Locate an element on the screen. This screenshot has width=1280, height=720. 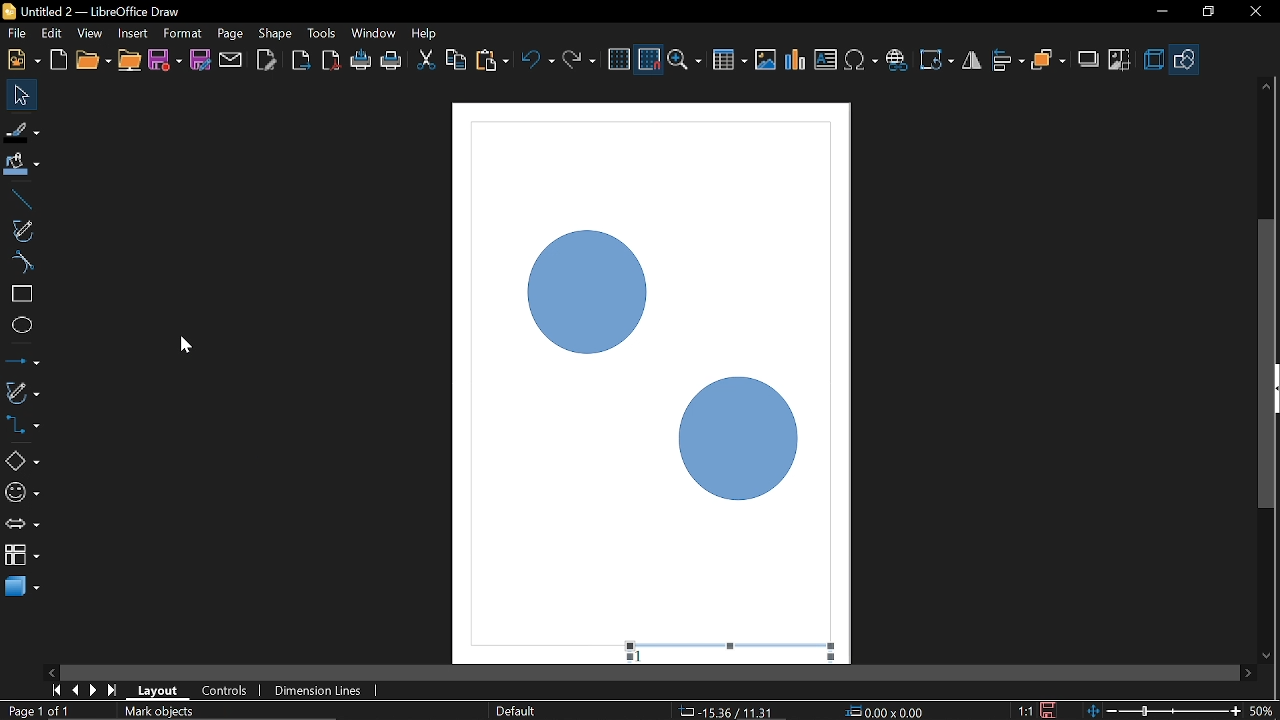
Attach is located at coordinates (232, 59).